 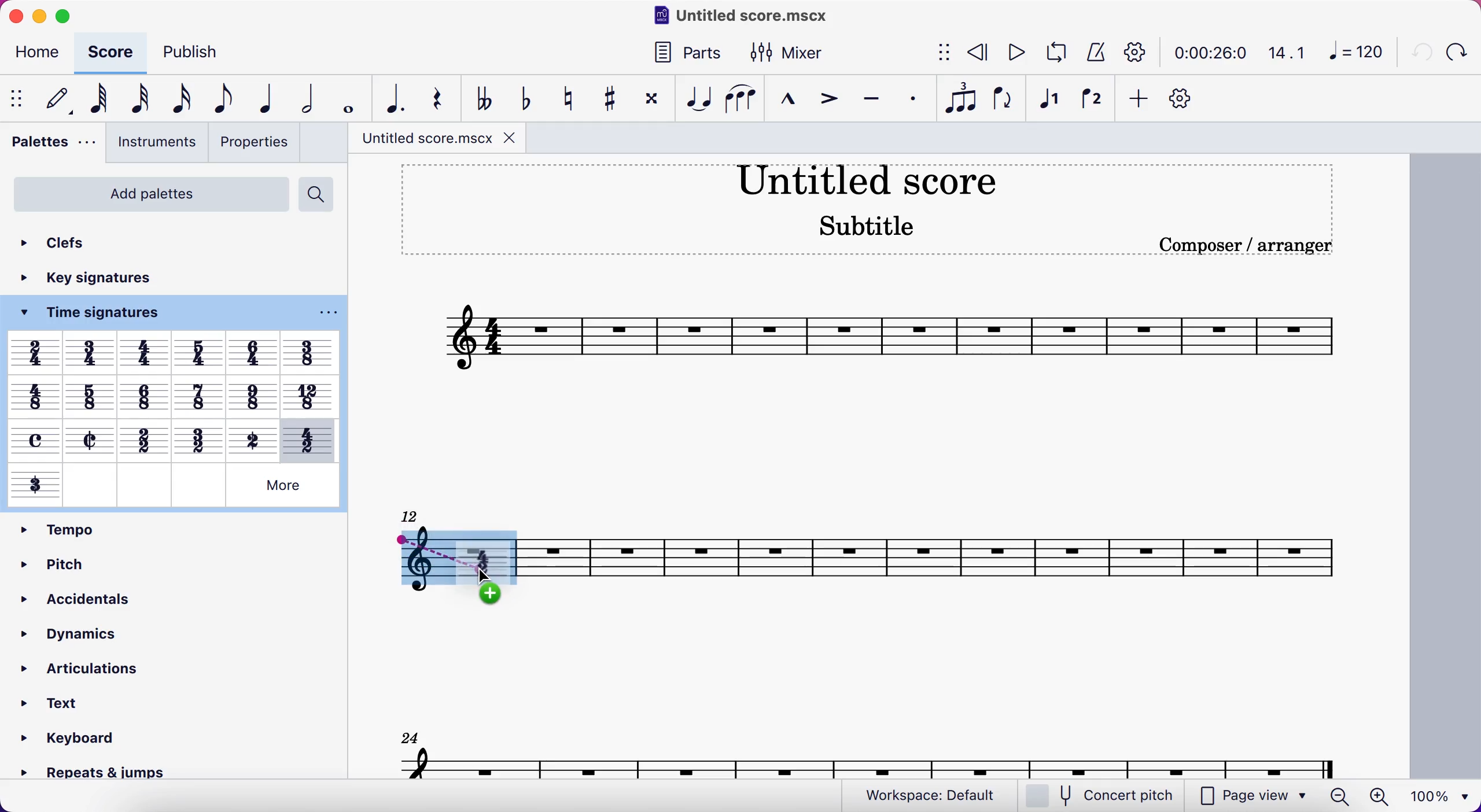 I want to click on toggle double sharp, so click(x=651, y=95).